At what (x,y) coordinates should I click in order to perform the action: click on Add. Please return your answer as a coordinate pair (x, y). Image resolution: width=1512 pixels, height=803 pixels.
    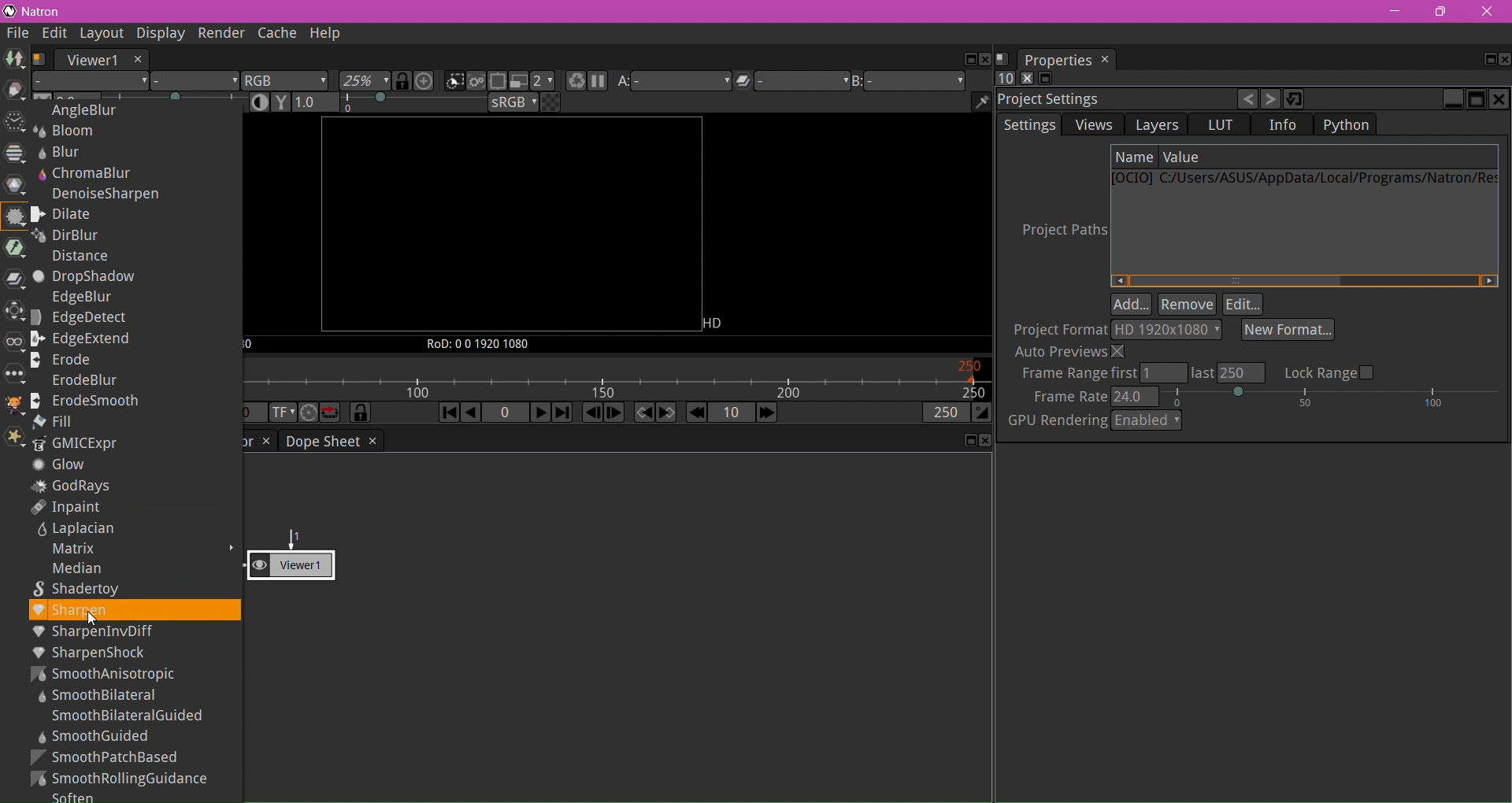
    Looking at the image, I should click on (1132, 305).